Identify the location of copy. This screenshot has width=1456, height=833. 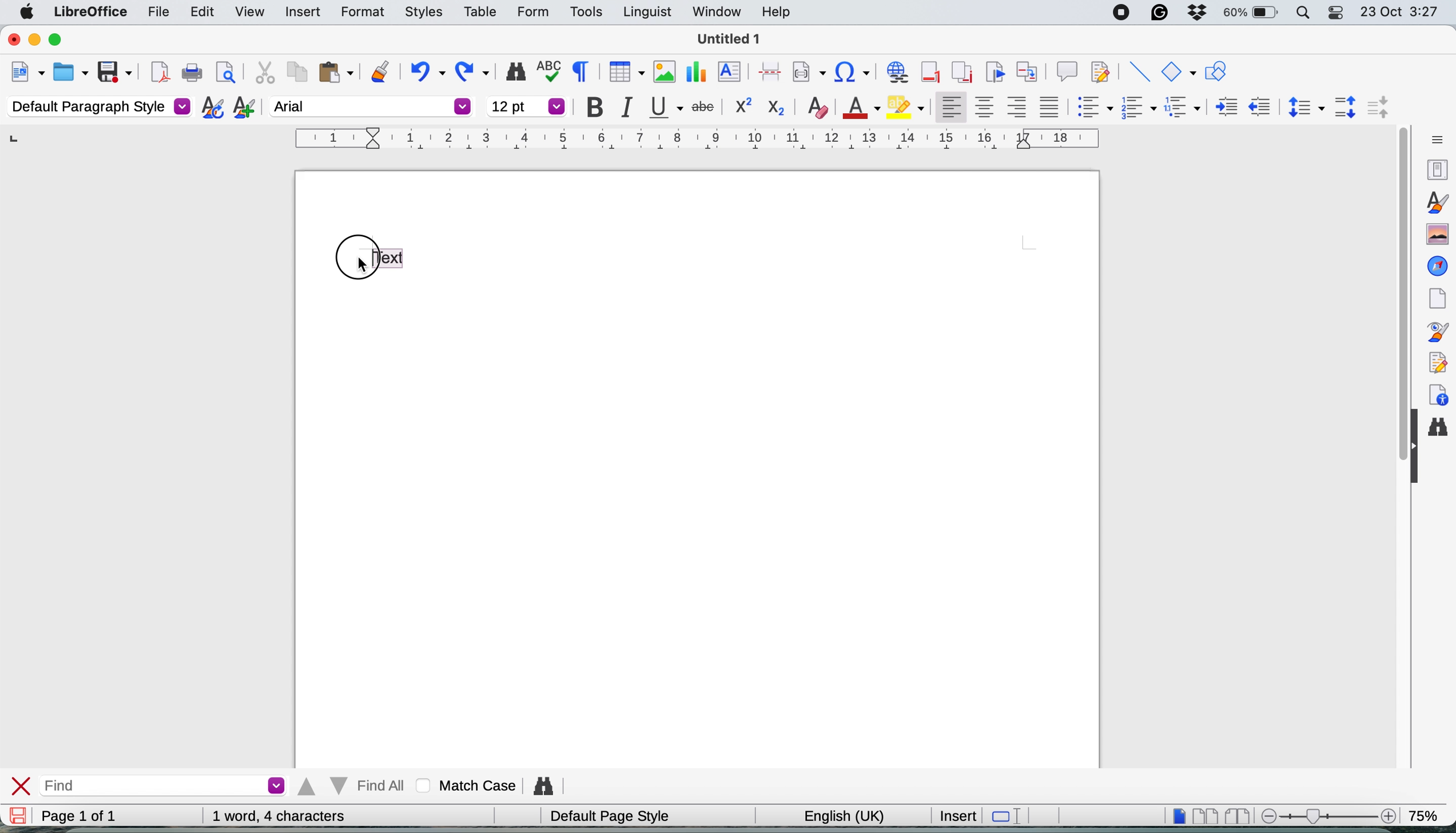
(296, 74).